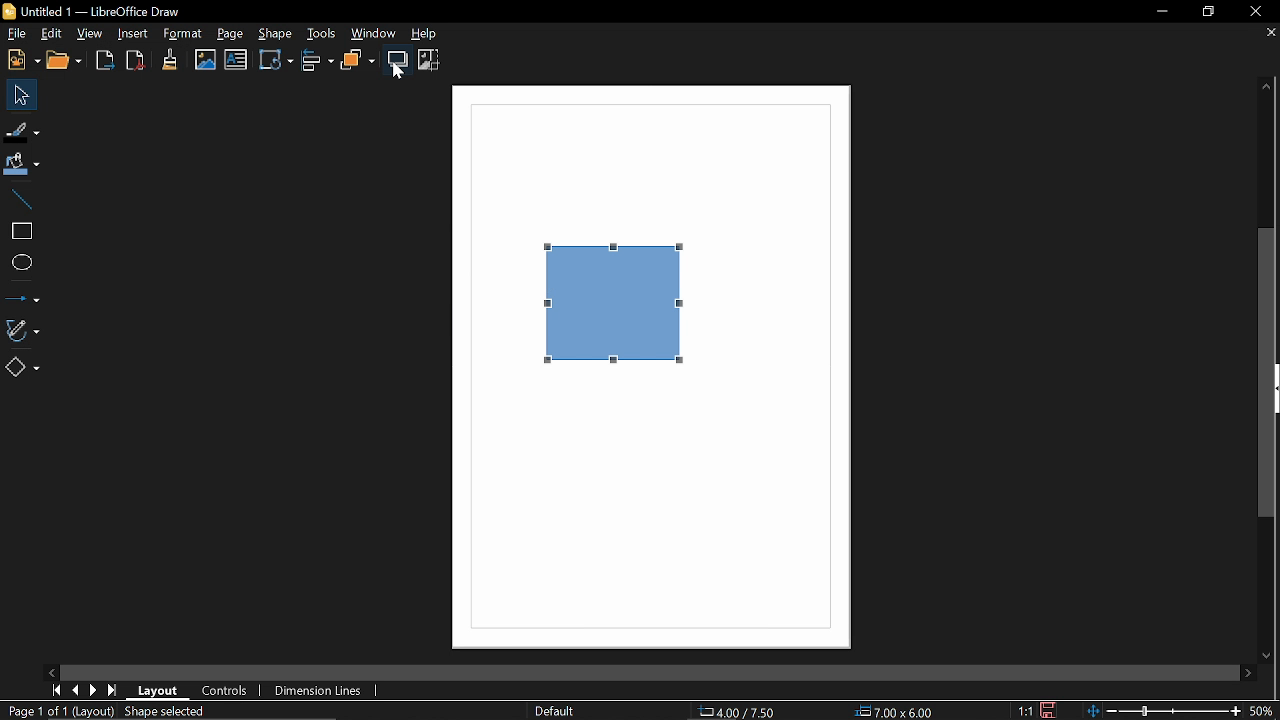 This screenshot has width=1280, height=720. I want to click on Help, so click(432, 33).